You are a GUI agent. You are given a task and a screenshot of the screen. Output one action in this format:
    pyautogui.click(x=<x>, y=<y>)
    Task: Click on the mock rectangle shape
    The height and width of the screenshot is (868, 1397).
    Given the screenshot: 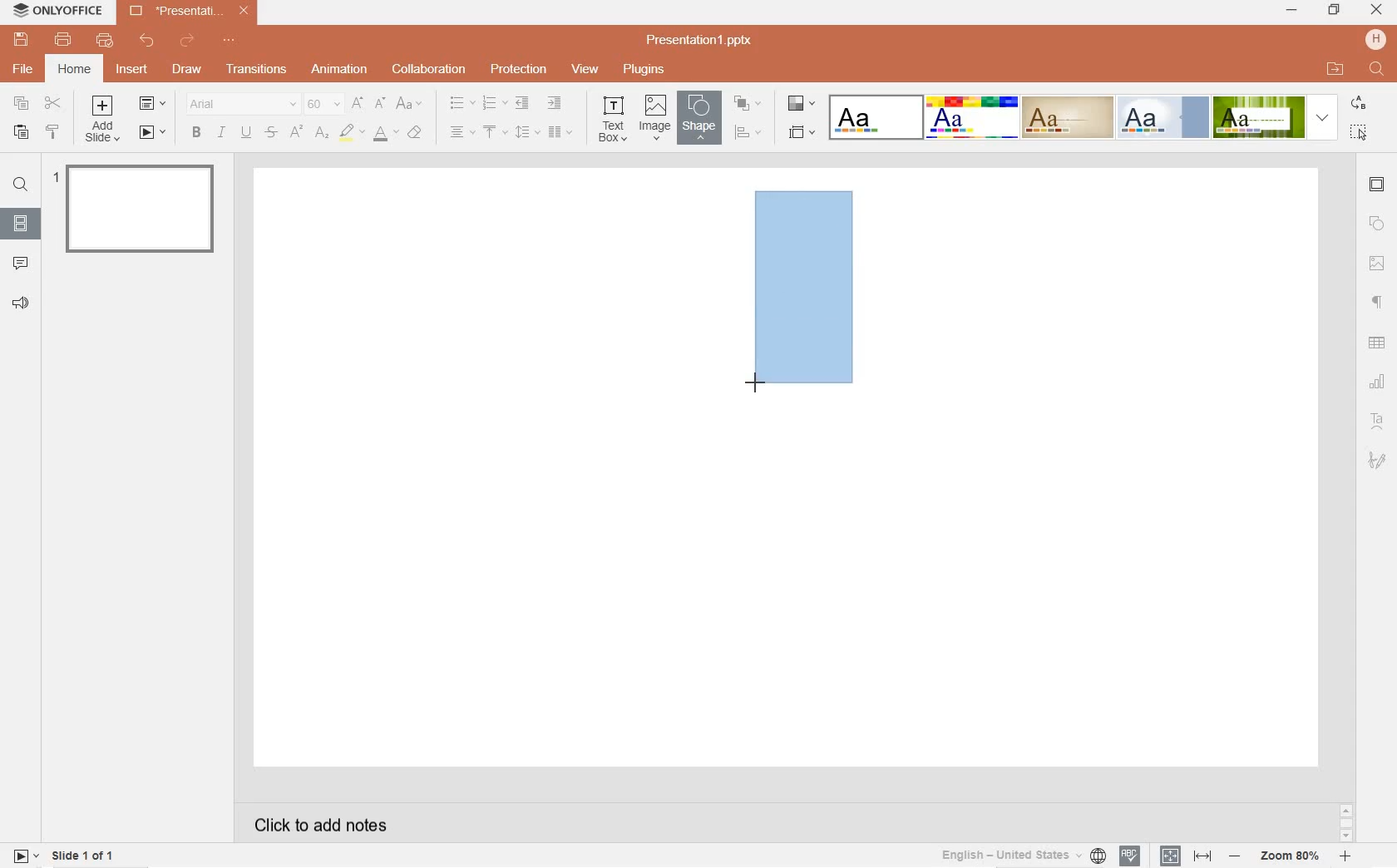 What is the action you would take?
    pyautogui.click(x=803, y=289)
    